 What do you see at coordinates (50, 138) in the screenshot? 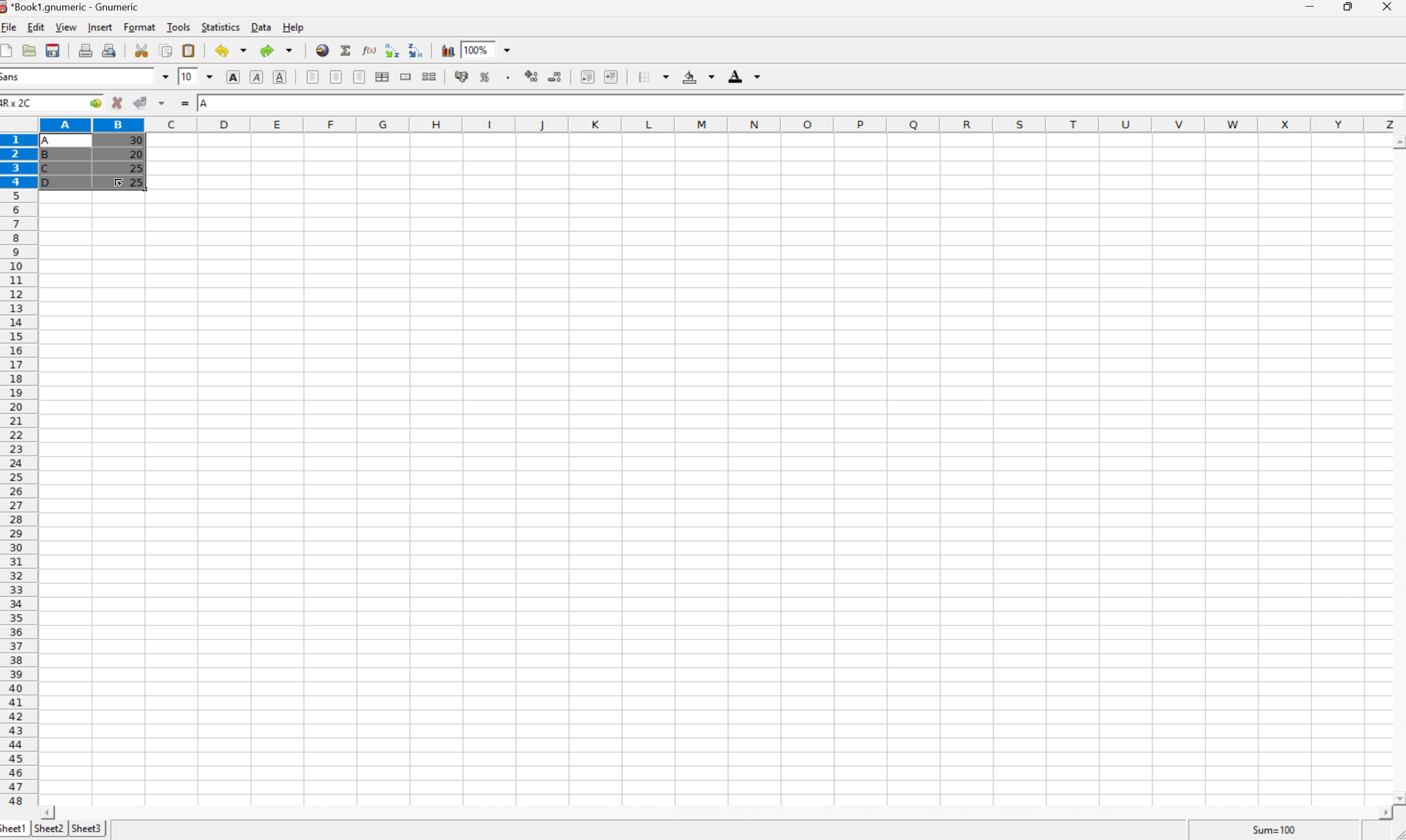
I see `A` at bounding box center [50, 138].